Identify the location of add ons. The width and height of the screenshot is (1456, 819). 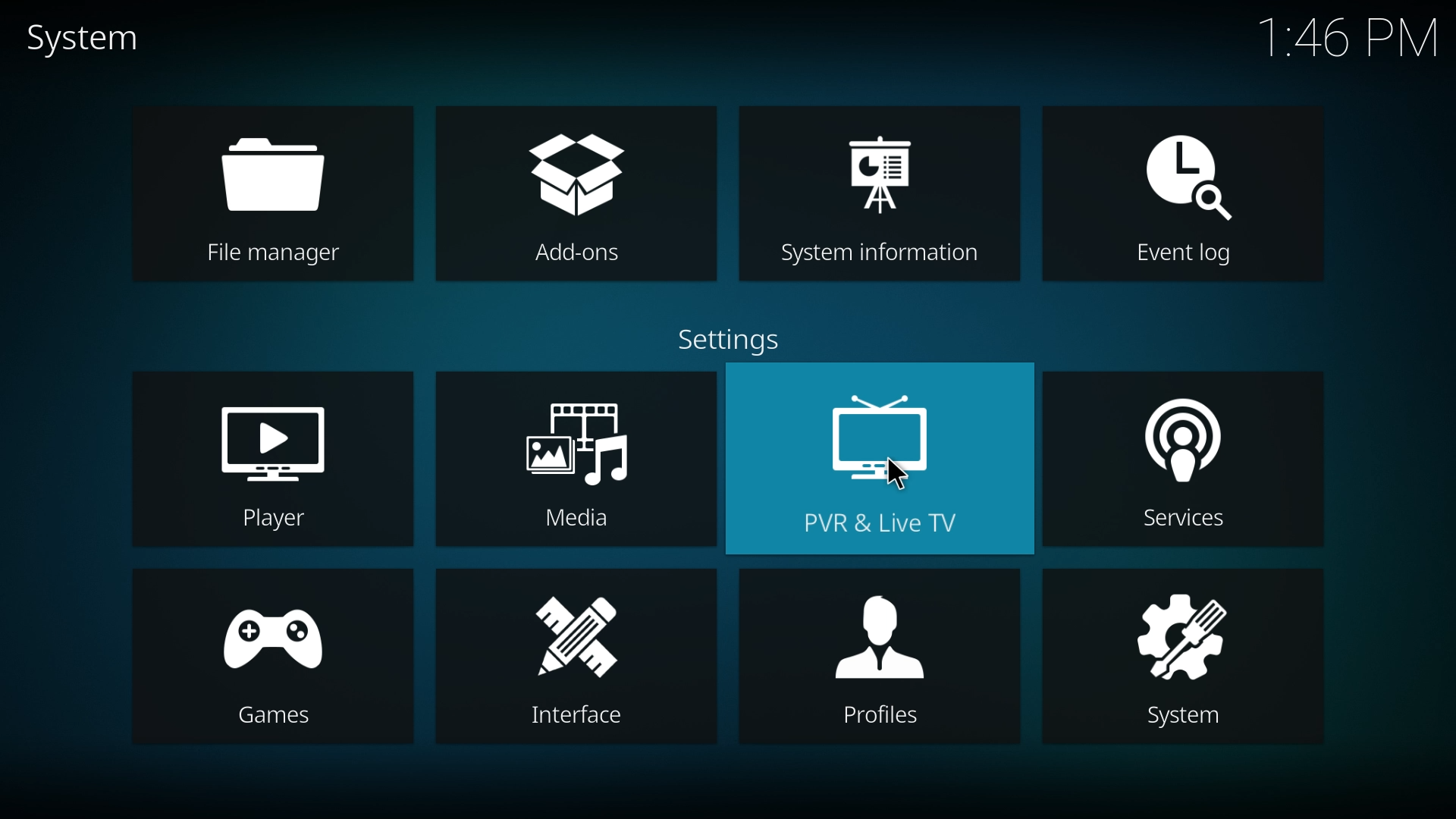
(573, 193).